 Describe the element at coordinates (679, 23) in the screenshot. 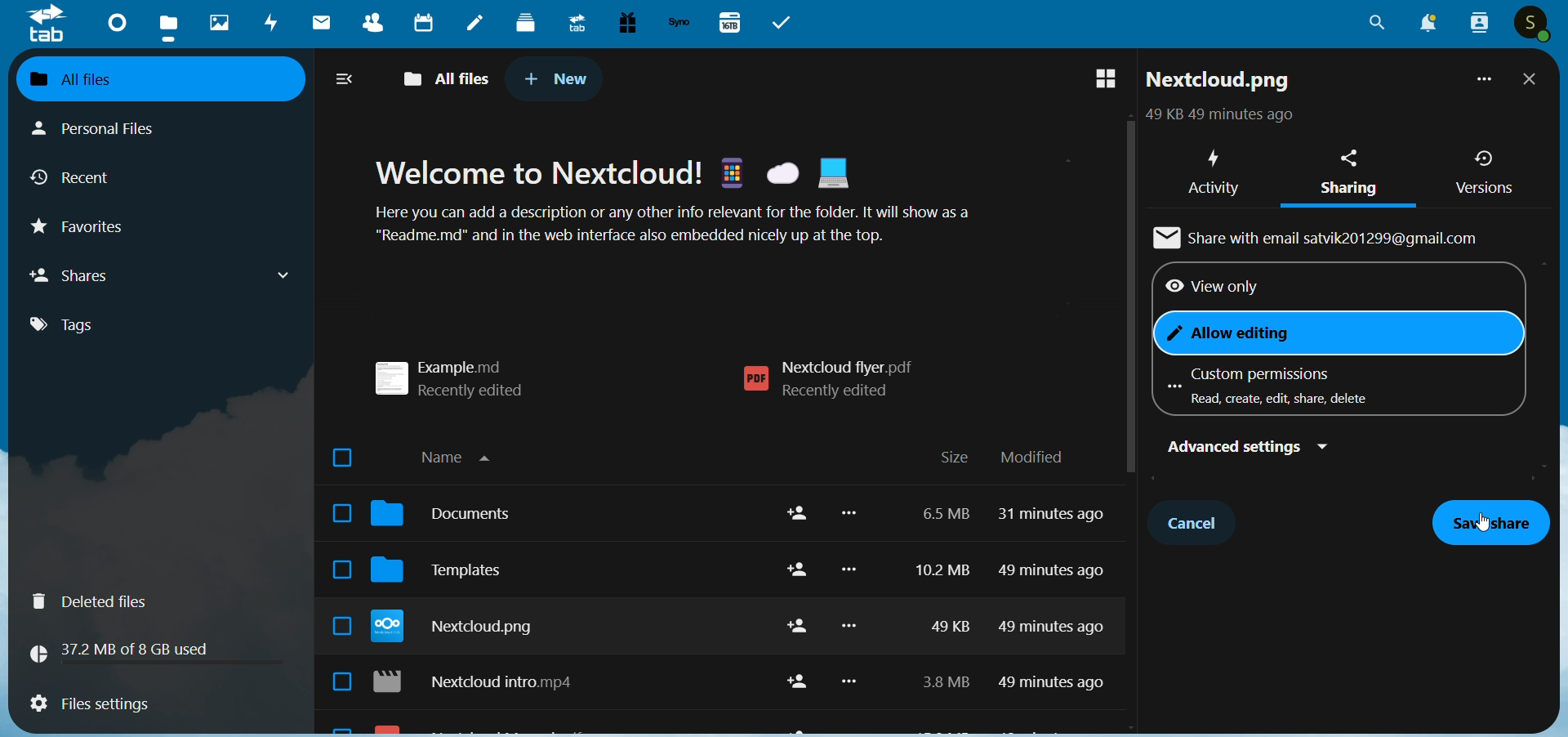

I see `synology` at that location.